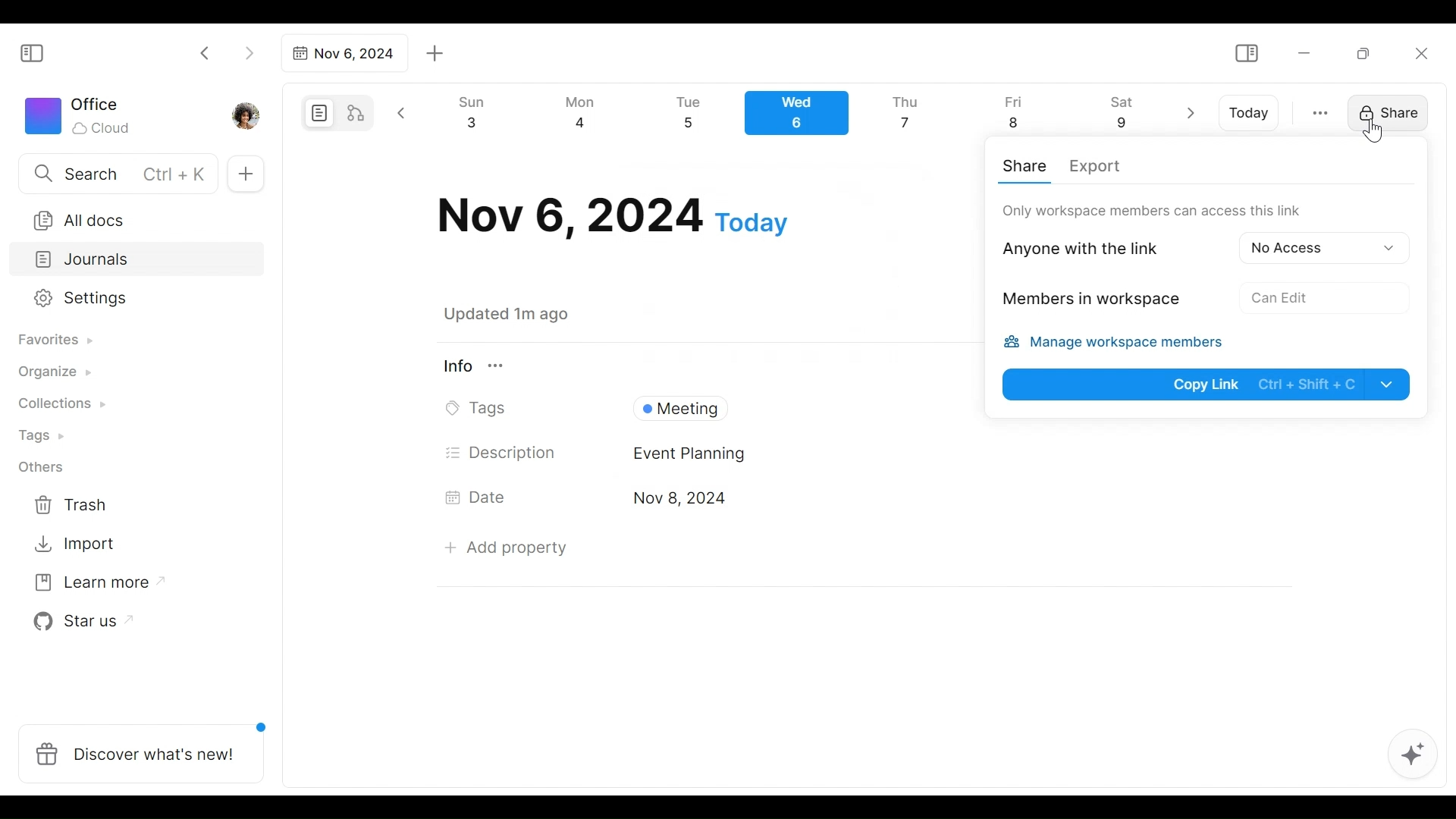 The height and width of the screenshot is (819, 1456). I want to click on Restore, so click(1369, 52).